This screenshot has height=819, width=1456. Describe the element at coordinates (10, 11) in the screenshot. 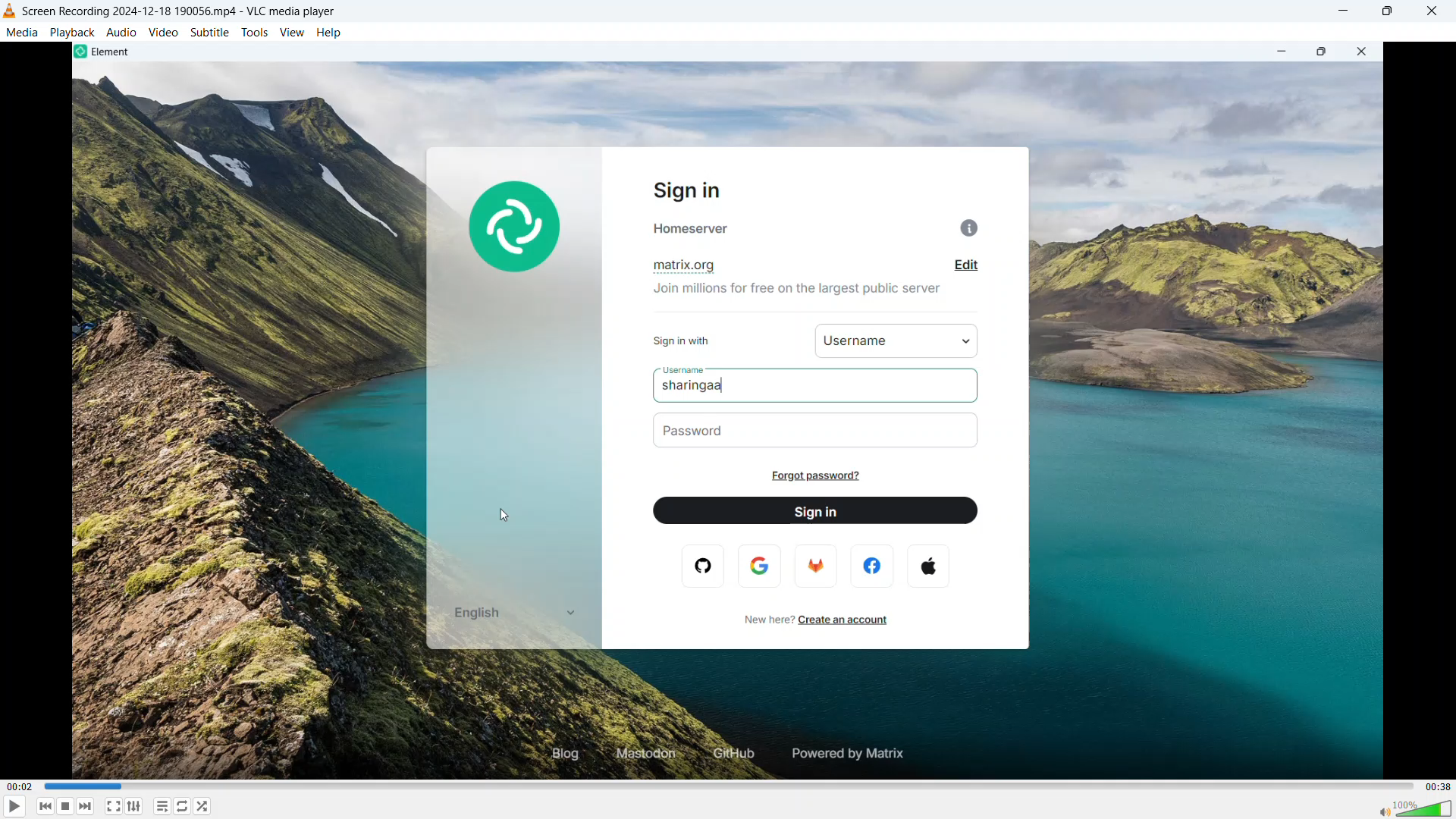

I see `Logo ` at that location.